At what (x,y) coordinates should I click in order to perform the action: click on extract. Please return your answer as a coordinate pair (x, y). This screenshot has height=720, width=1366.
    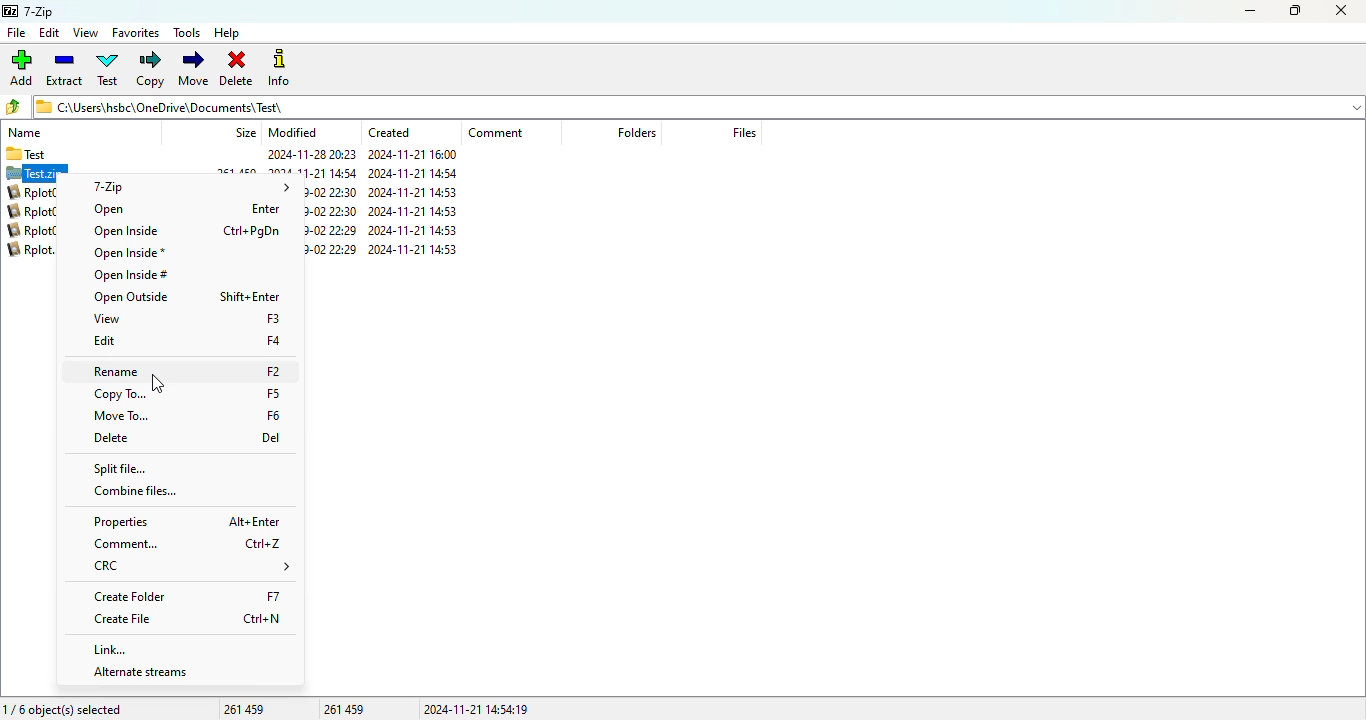
    Looking at the image, I should click on (65, 69).